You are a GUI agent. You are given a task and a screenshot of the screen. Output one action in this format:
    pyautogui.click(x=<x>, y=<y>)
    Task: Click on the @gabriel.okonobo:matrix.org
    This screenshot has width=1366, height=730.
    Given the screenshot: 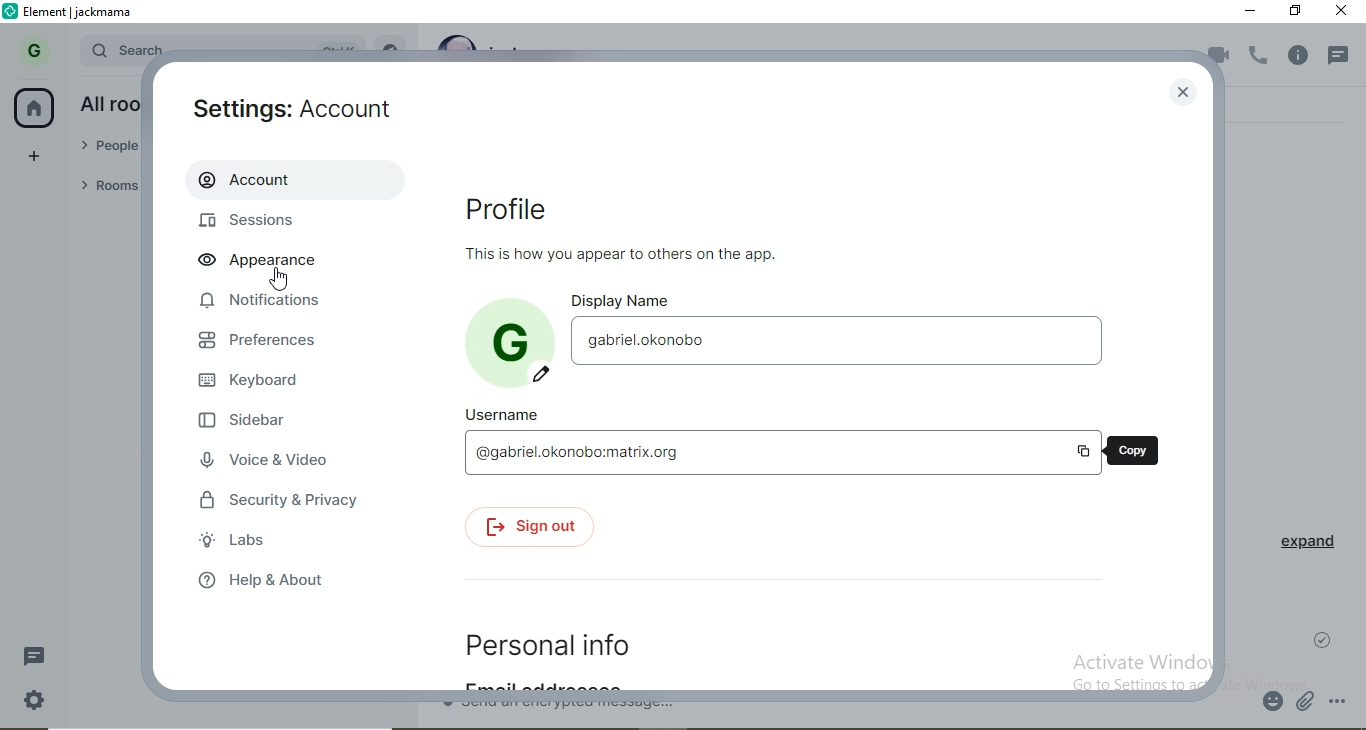 What is the action you would take?
    pyautogui.click(x=698, y=452)
    